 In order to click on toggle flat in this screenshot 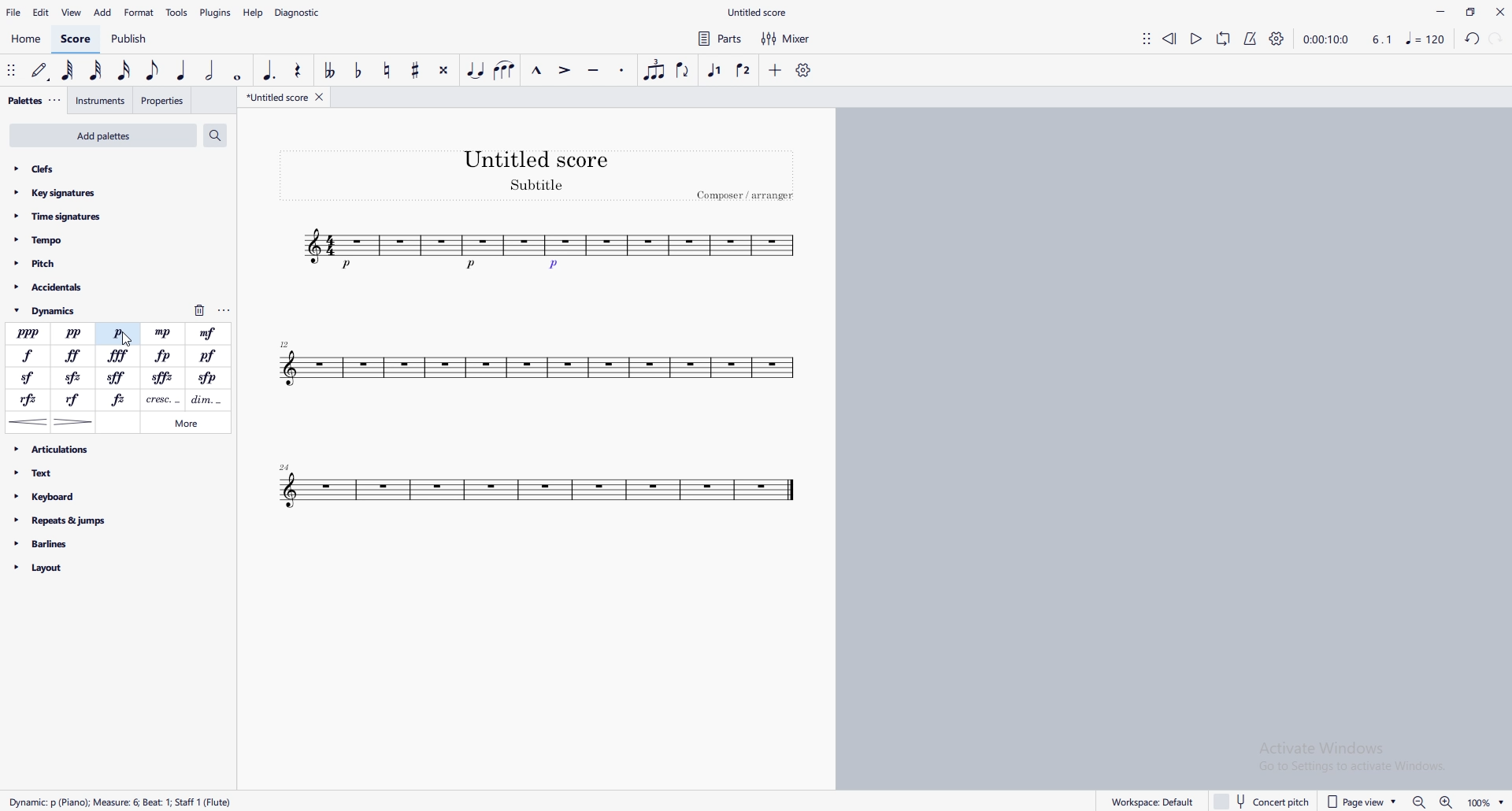, I will do `click(361, 70)`.